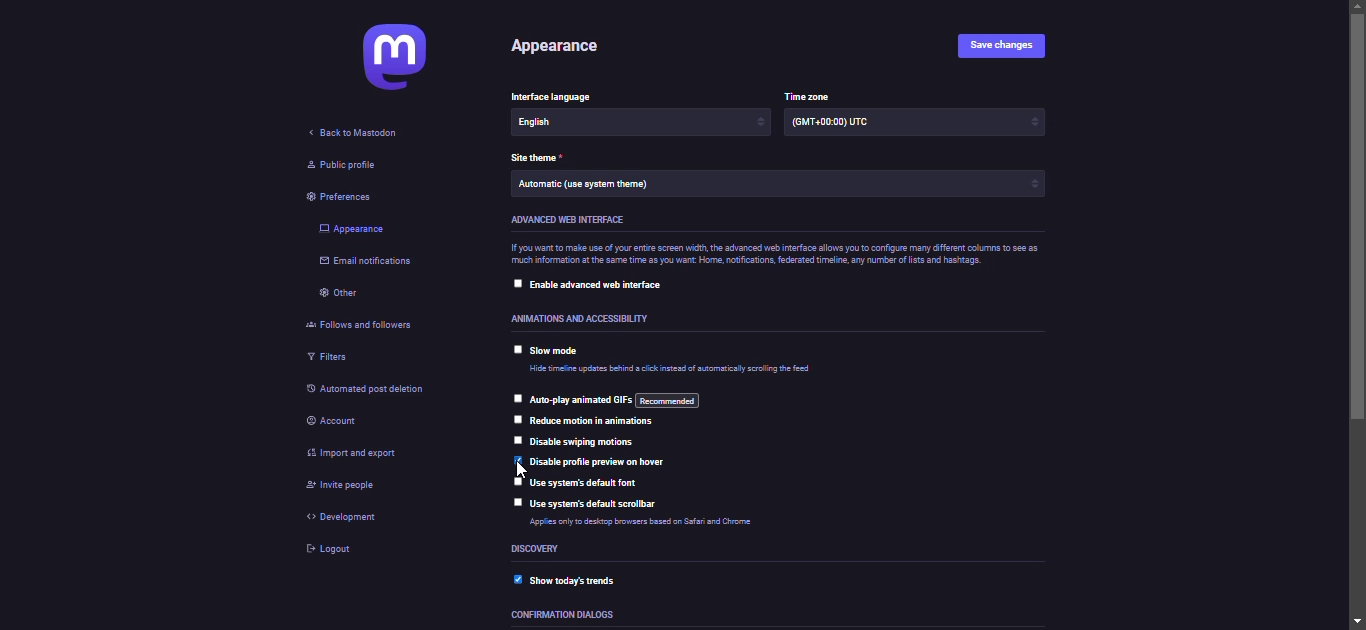  Describe the element at coordinates (804, 94) in the screenshot. I see `time zone` at that location.